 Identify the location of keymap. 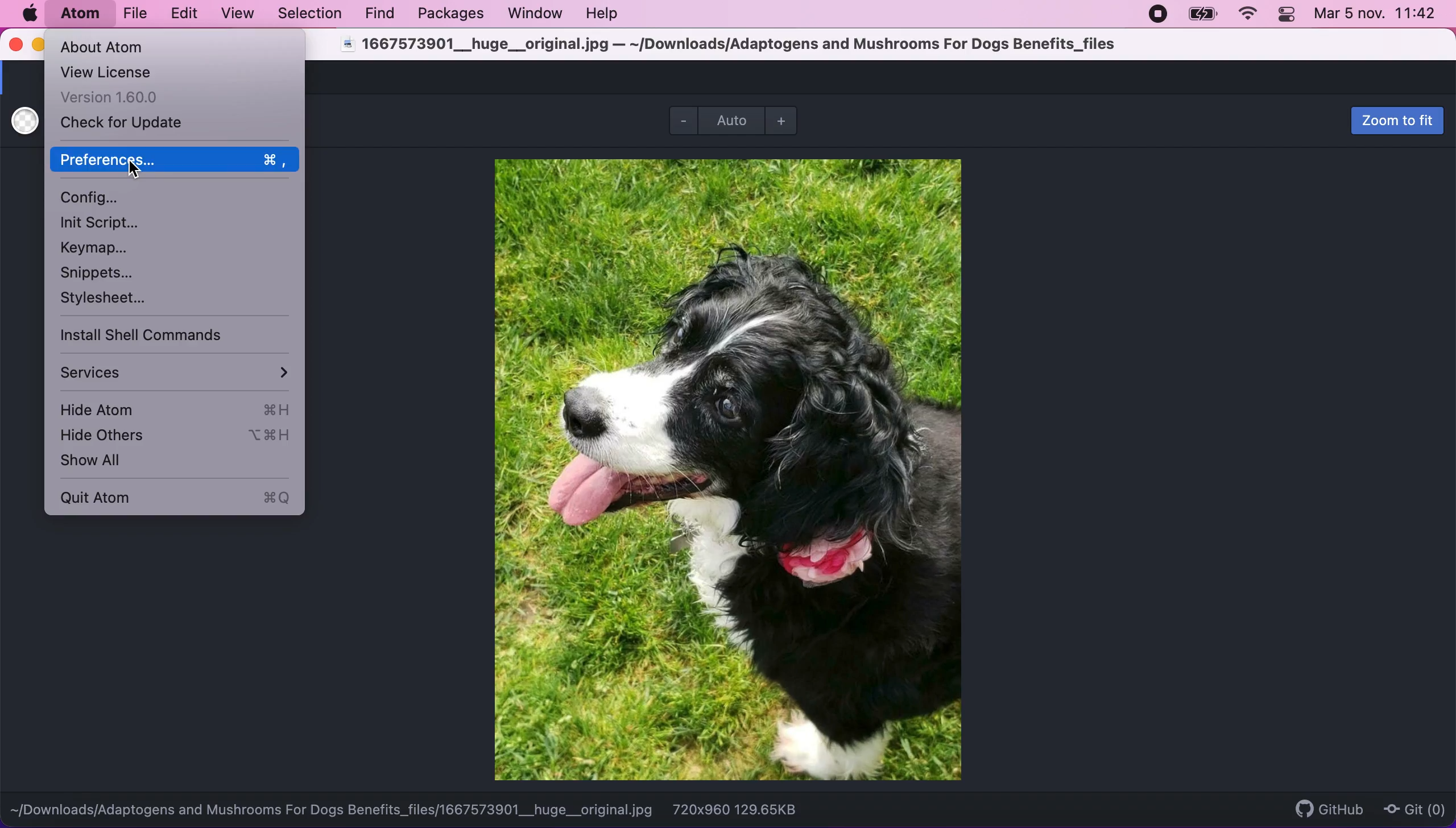
(105, 249).